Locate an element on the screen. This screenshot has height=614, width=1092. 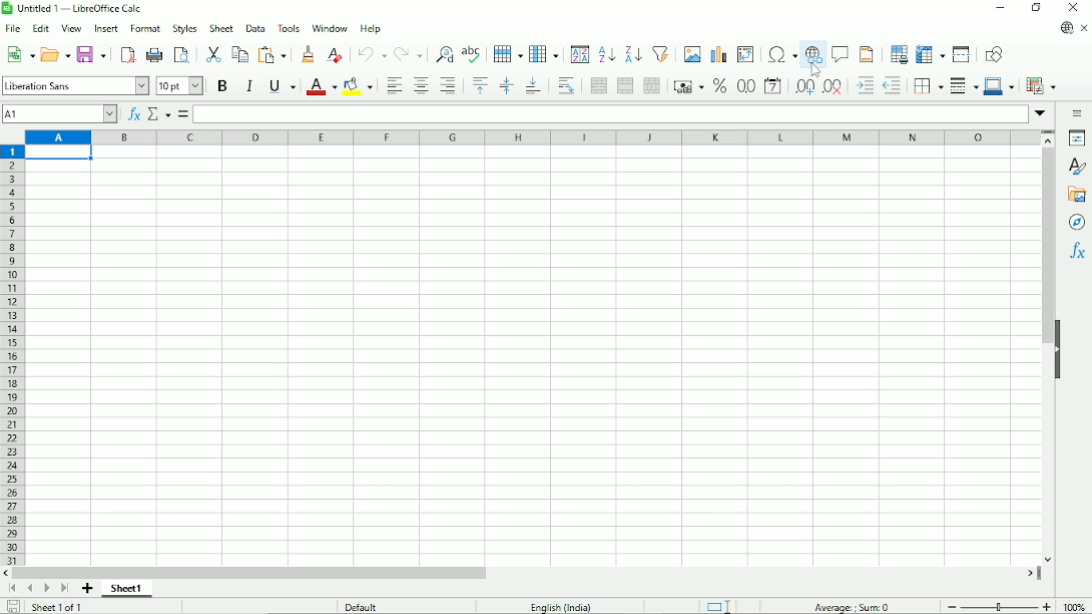
Borders is located at coordinates (928, 87).